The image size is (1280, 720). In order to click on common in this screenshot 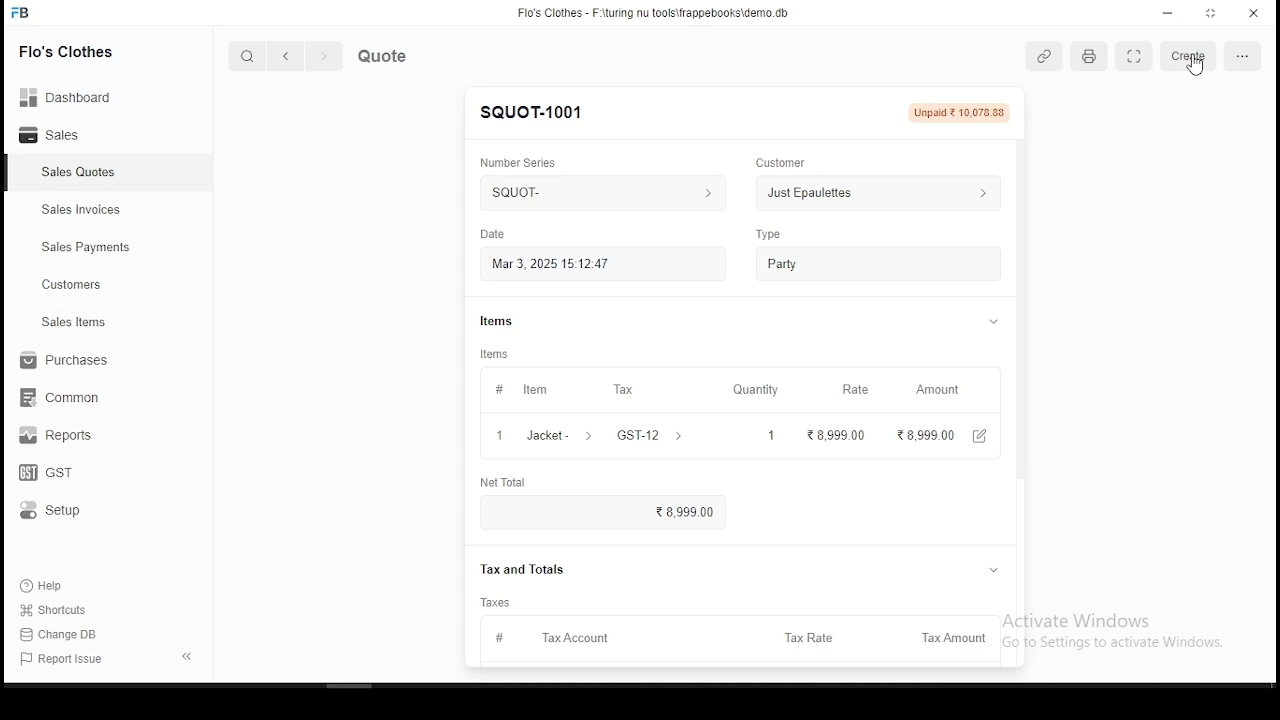, I will do `click(67, 397)`.